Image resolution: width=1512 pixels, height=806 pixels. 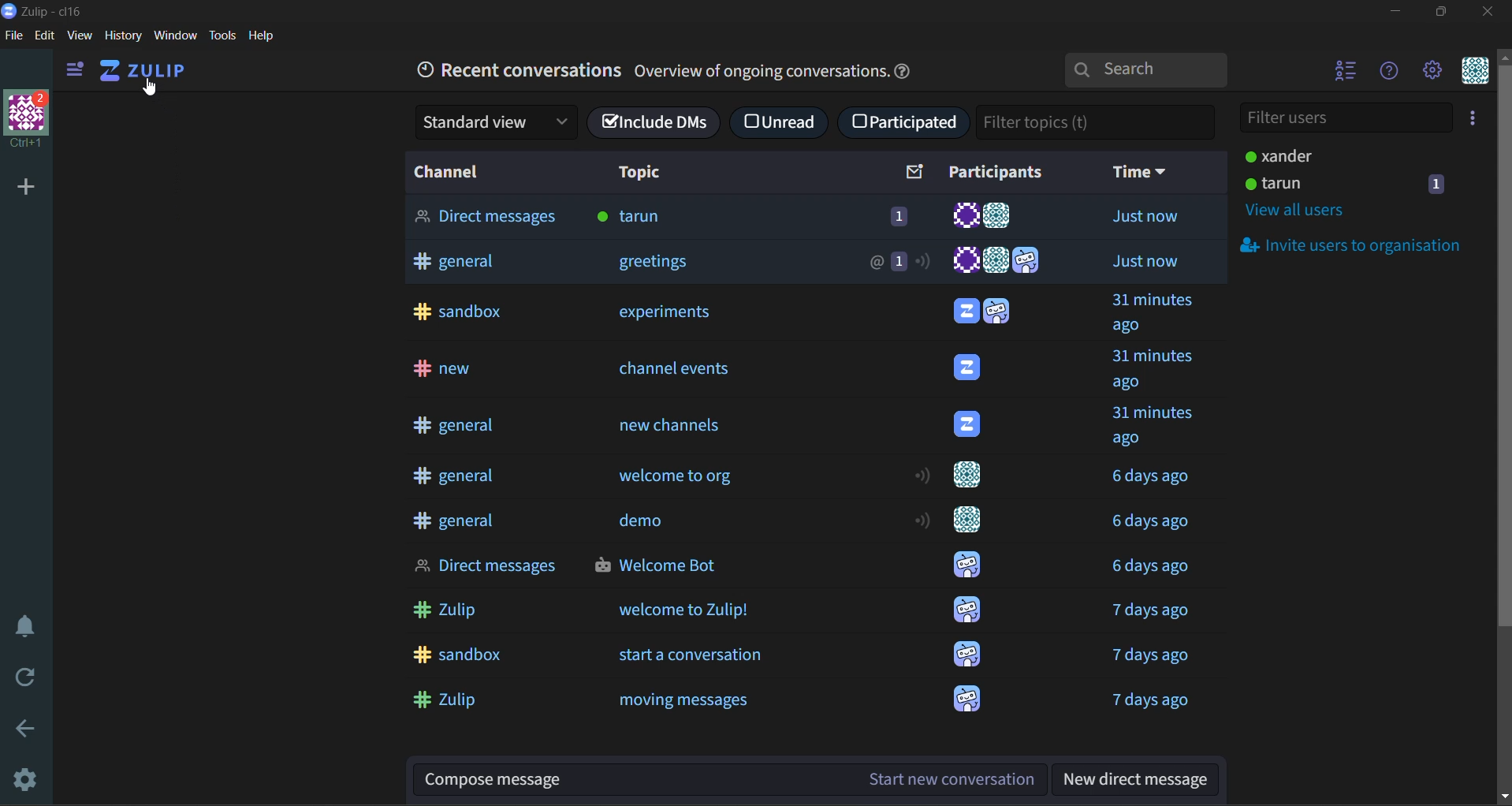 I want to click on close, so click(x=1490, y=11).